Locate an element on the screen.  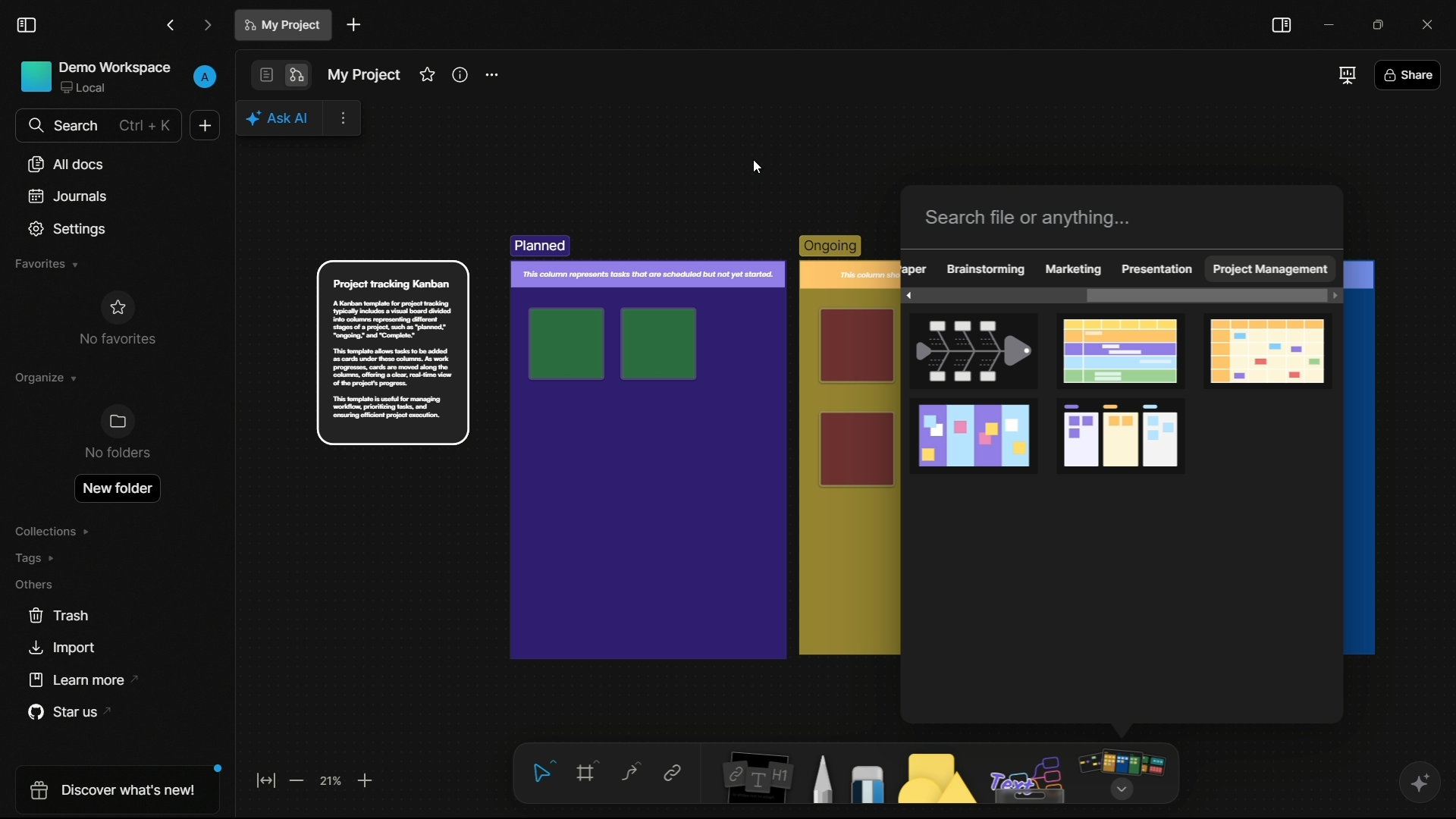
new document is located at coordinates (354, 25).